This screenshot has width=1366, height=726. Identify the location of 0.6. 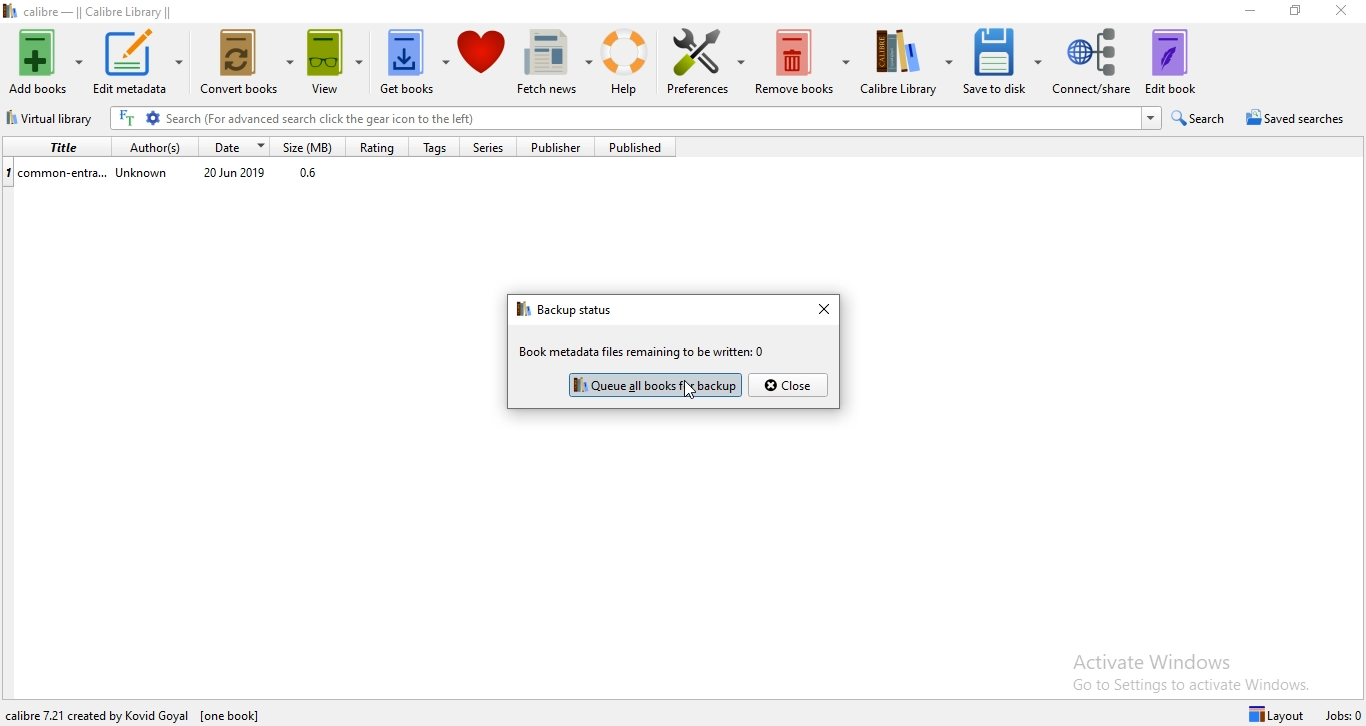
(313, 175).